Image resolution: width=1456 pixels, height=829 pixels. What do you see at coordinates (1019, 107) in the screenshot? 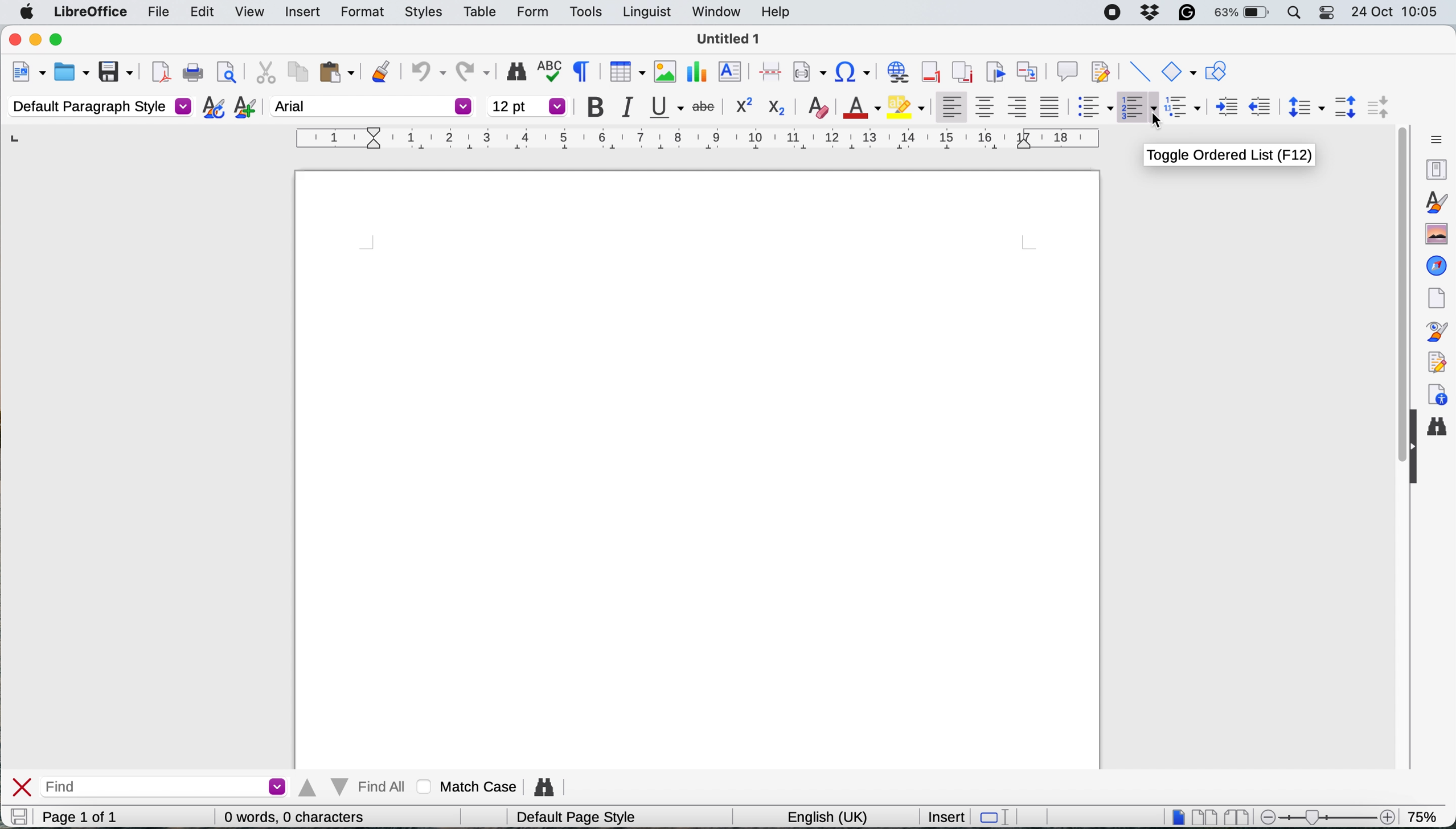
I see `align right` at bounding box center [1019, 107].